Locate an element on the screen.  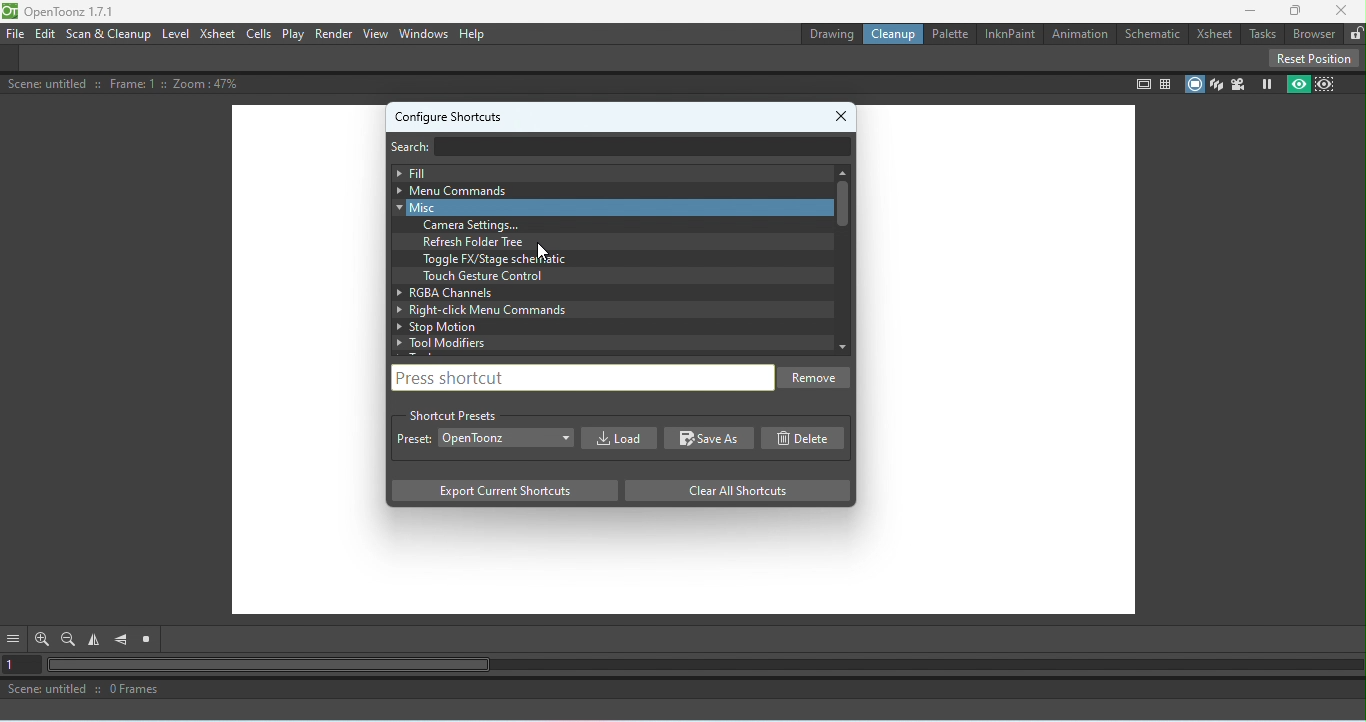
Remove is located at coordinates (817, 380).